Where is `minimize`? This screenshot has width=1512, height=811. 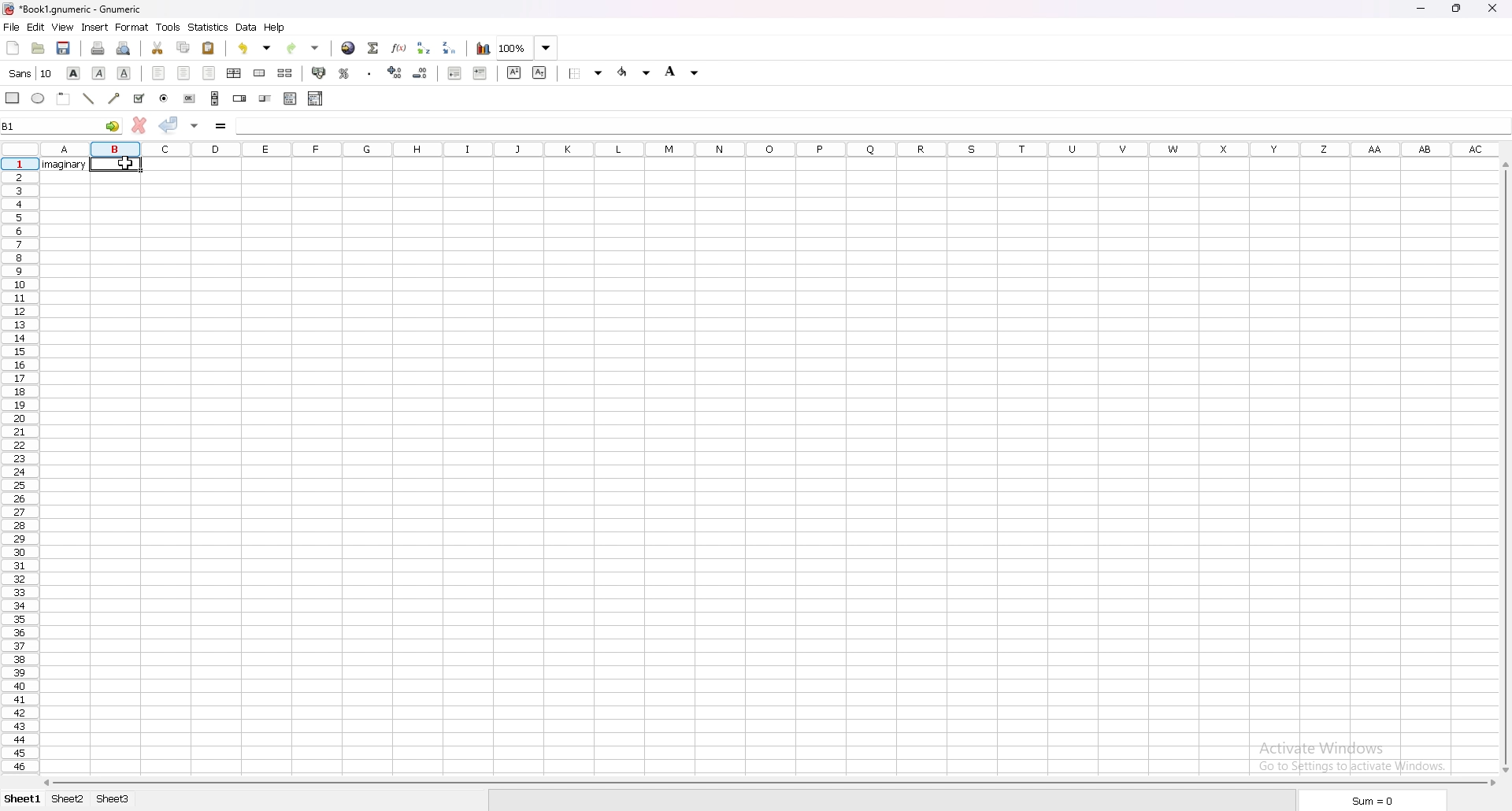 minimize is located at coordinates (1421, 8).